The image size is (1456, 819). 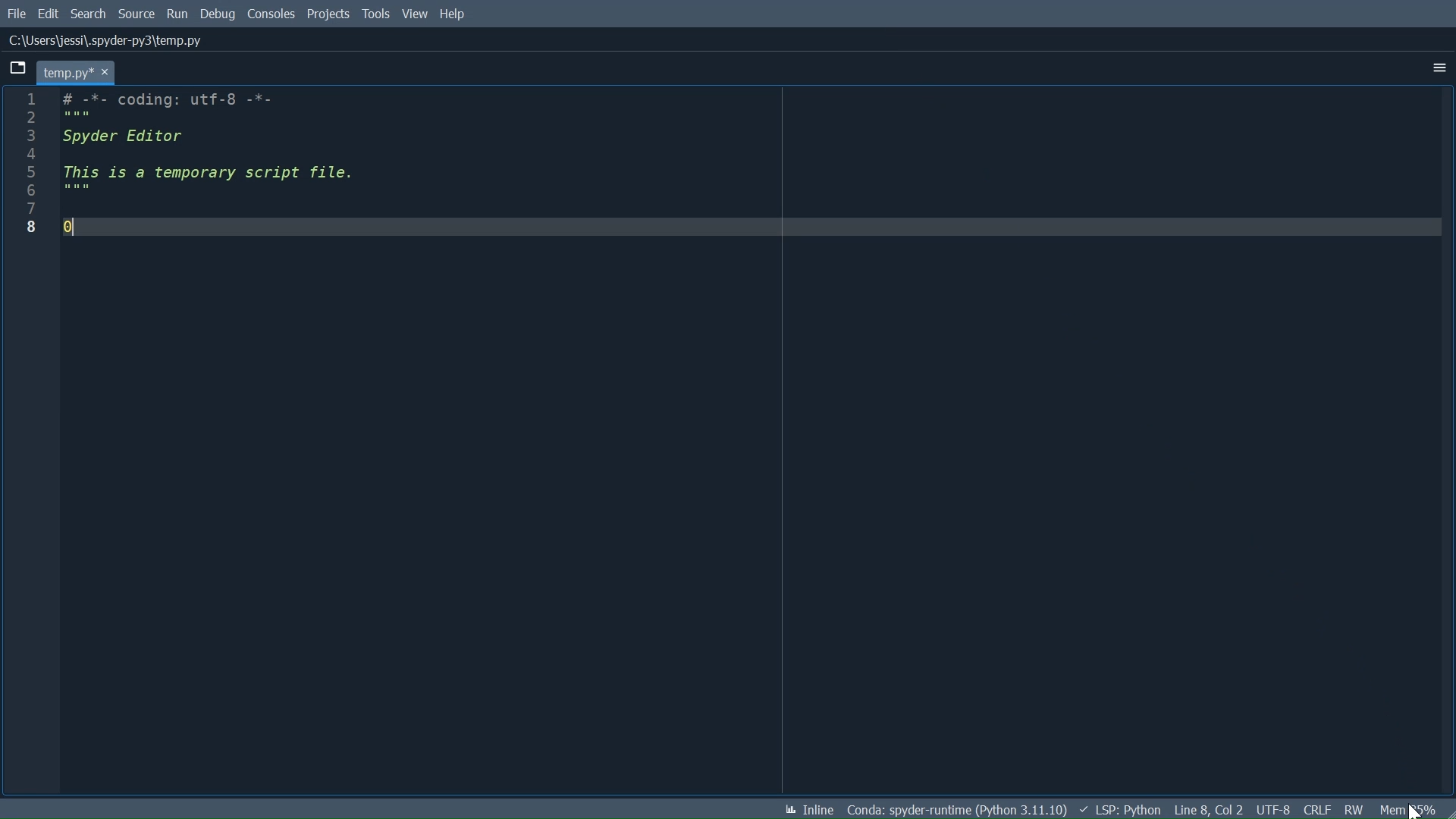 I want to click on View, so click(x=415, y=13).